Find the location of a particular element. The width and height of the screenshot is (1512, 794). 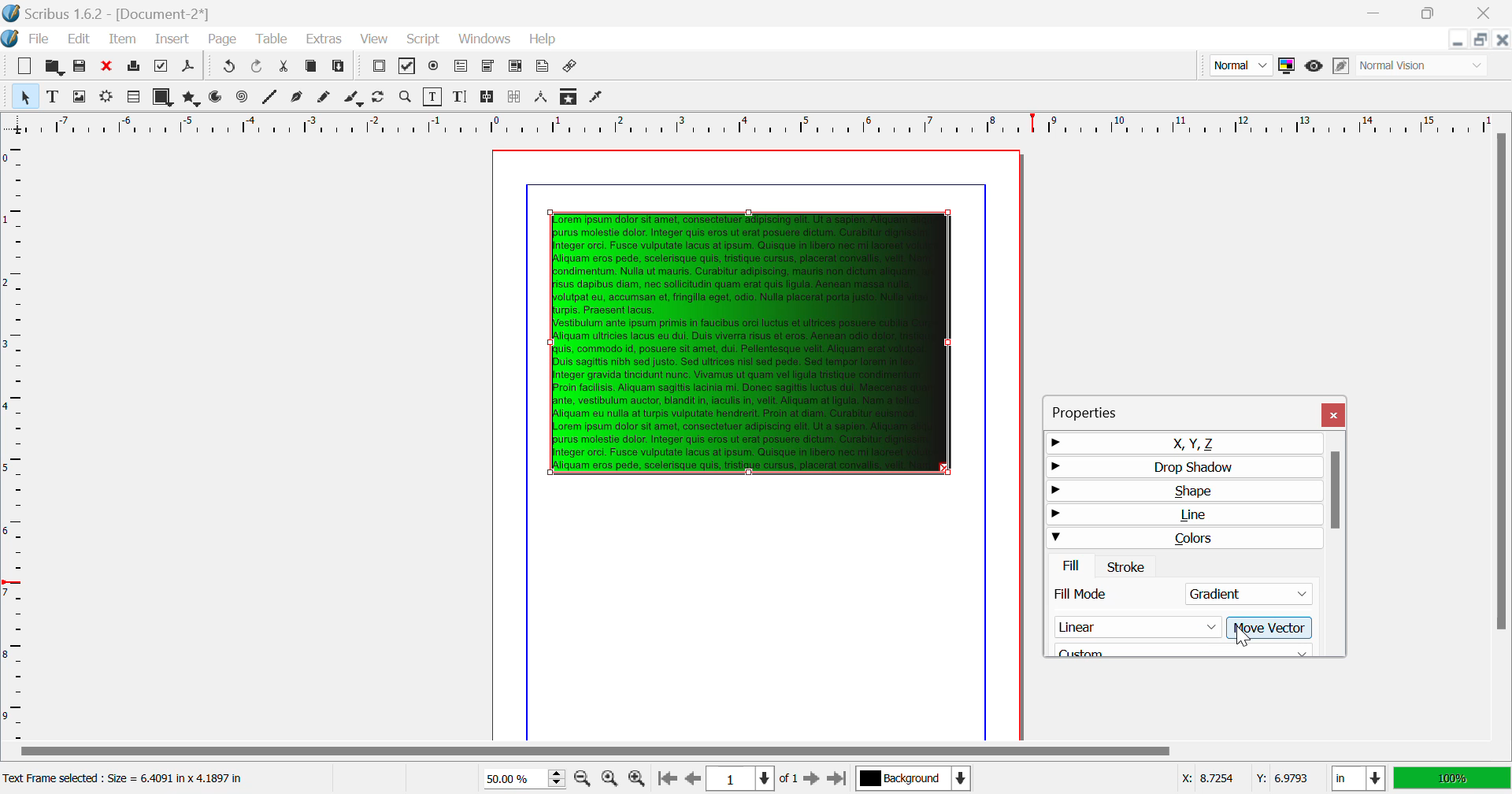

Toggle Color Management is located at coordinates (1286, 65).